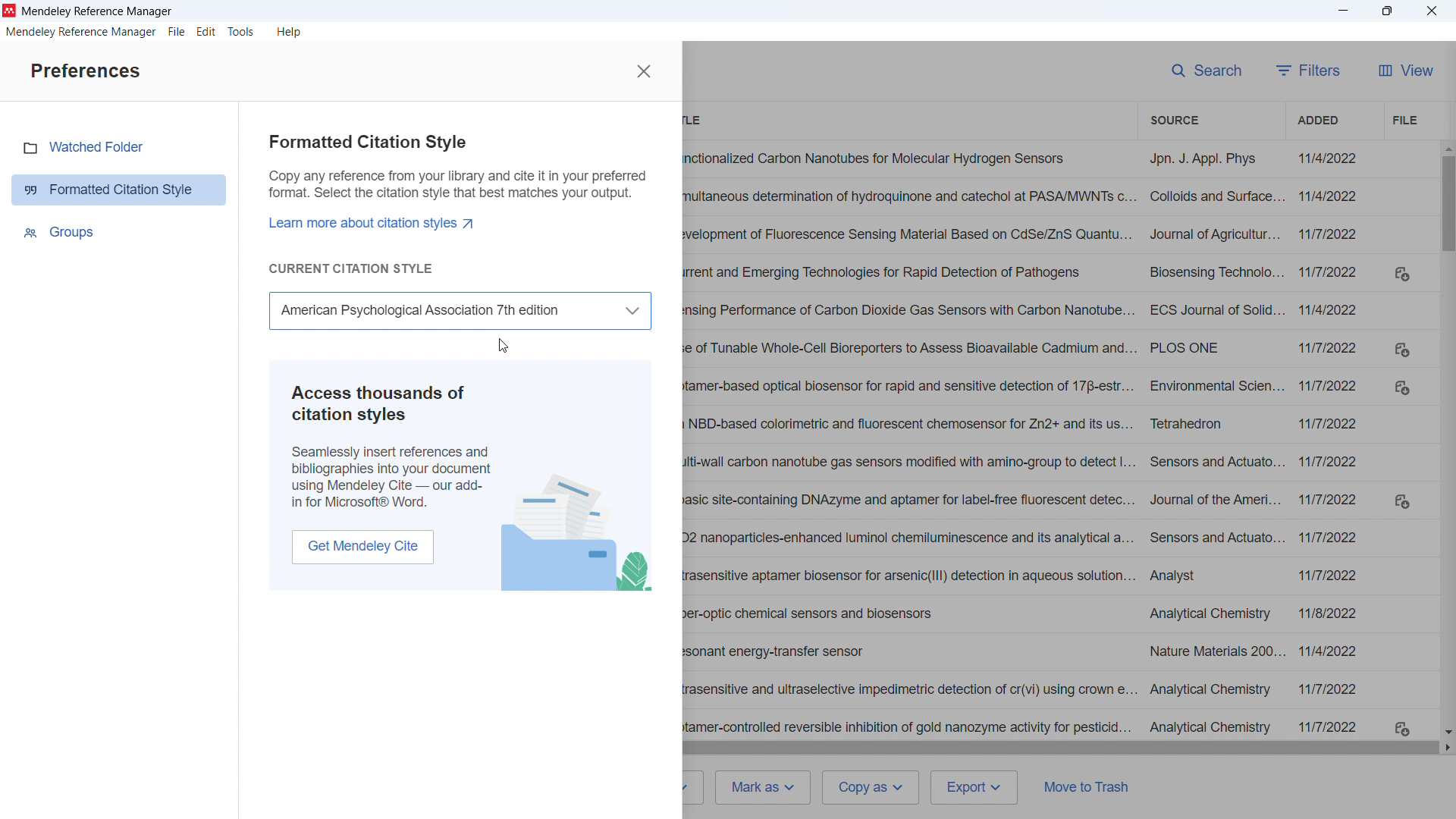  What do you see at coordinates (98, 147) in the screenshot?
I see `Watched folder ` at bounding box center [98, 147].